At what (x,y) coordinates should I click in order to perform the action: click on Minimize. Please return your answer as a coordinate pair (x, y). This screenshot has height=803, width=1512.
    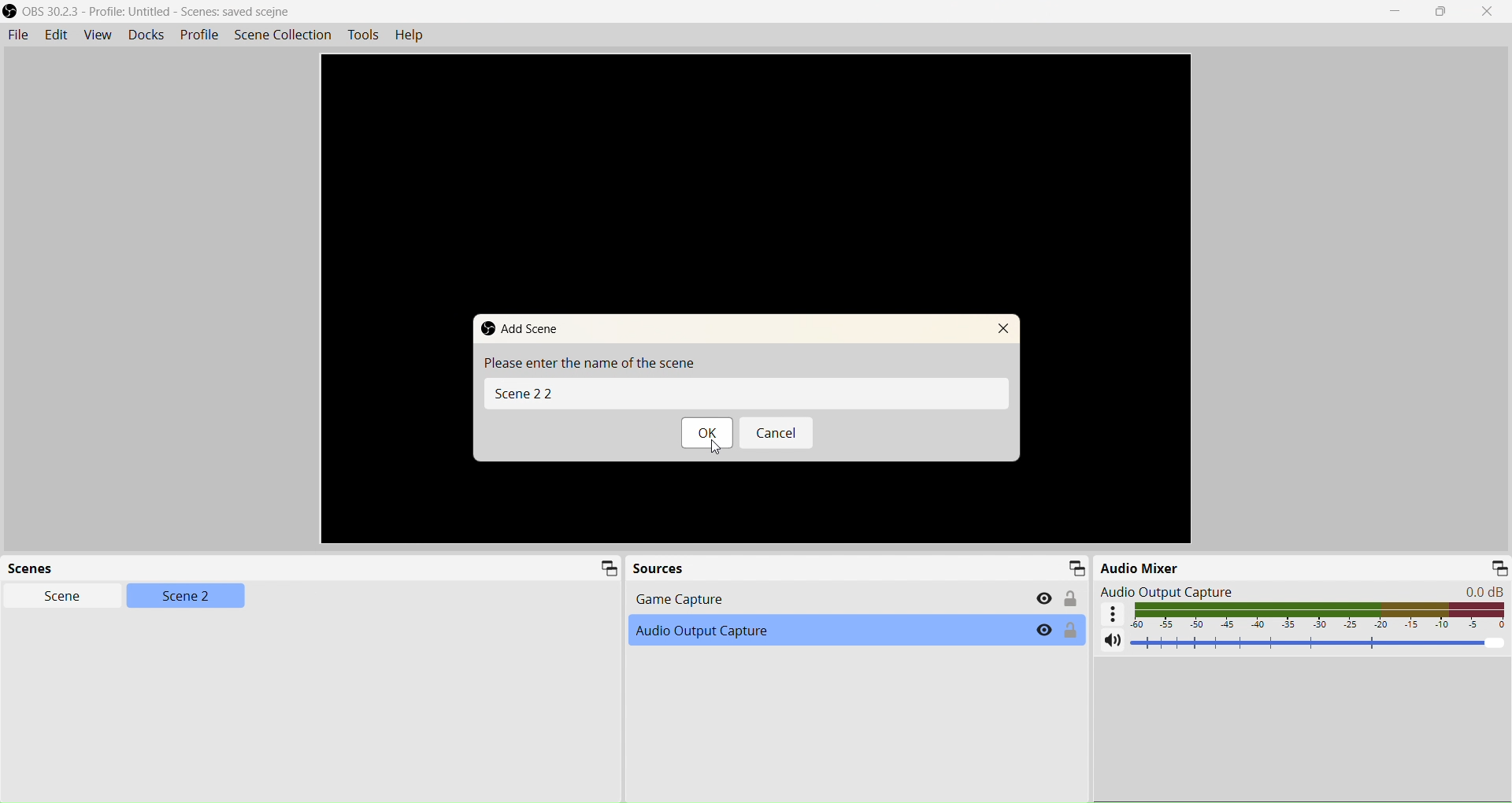
    Looking at the image, I should click on (610, 568).